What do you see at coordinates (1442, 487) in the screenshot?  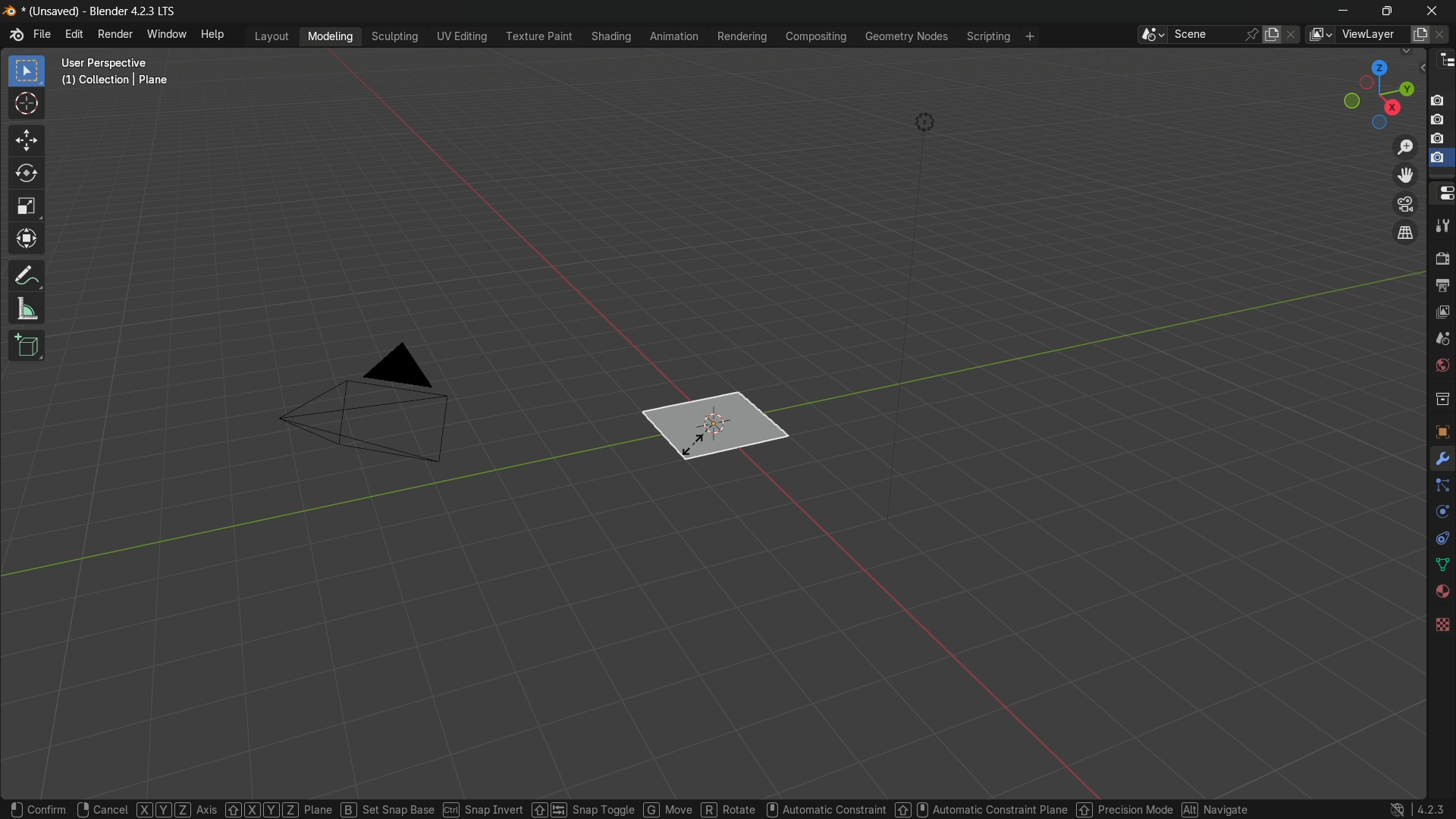 I see `particles` at bounding box center [1442, 487].